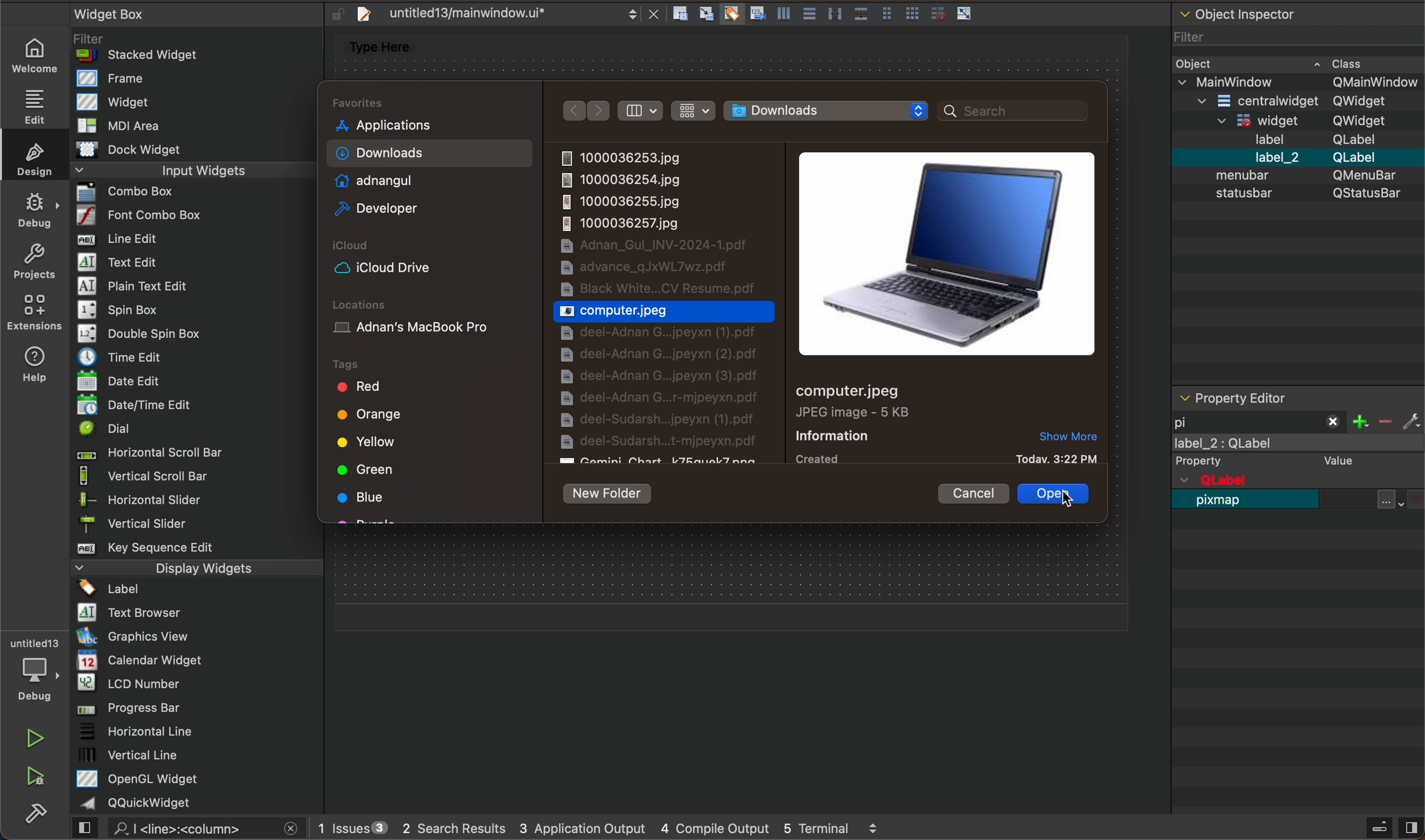 This screenshot has height=840, width=1425. Describe the element at coordinates (613, 491) in the screenshot. I see `create new folder` at that location.